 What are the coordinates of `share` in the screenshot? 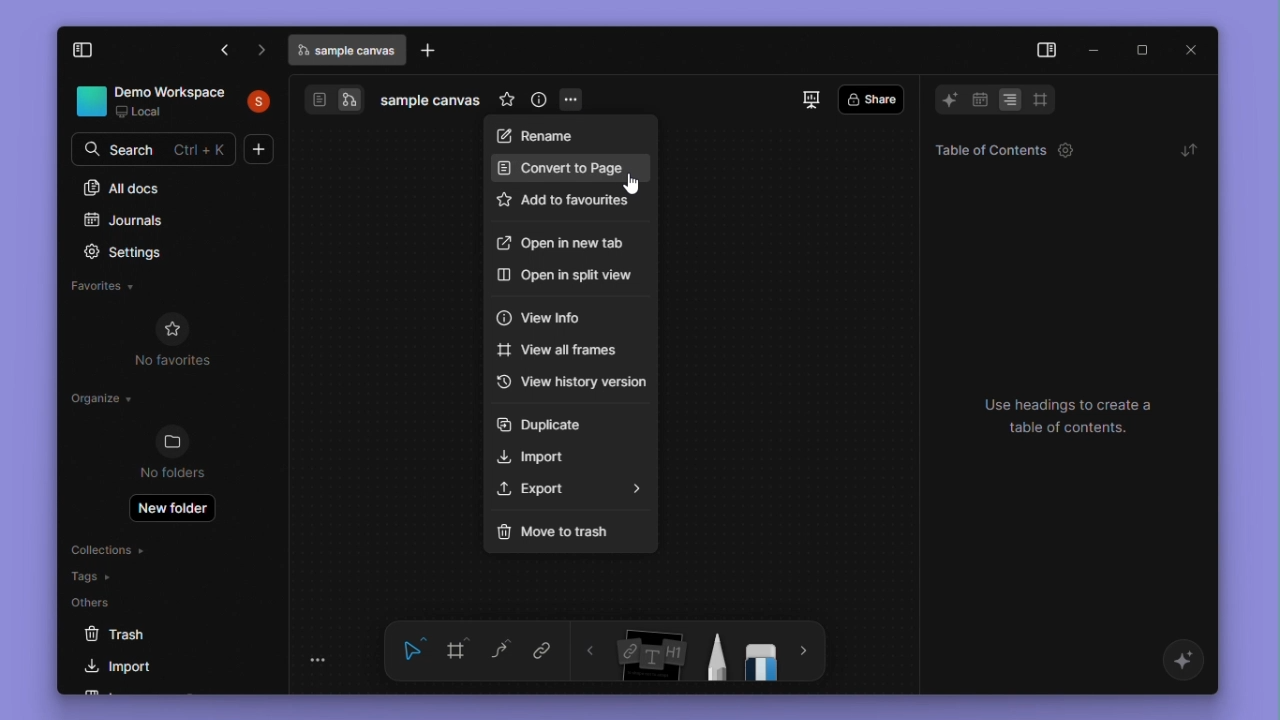 It's located at (870, 100).